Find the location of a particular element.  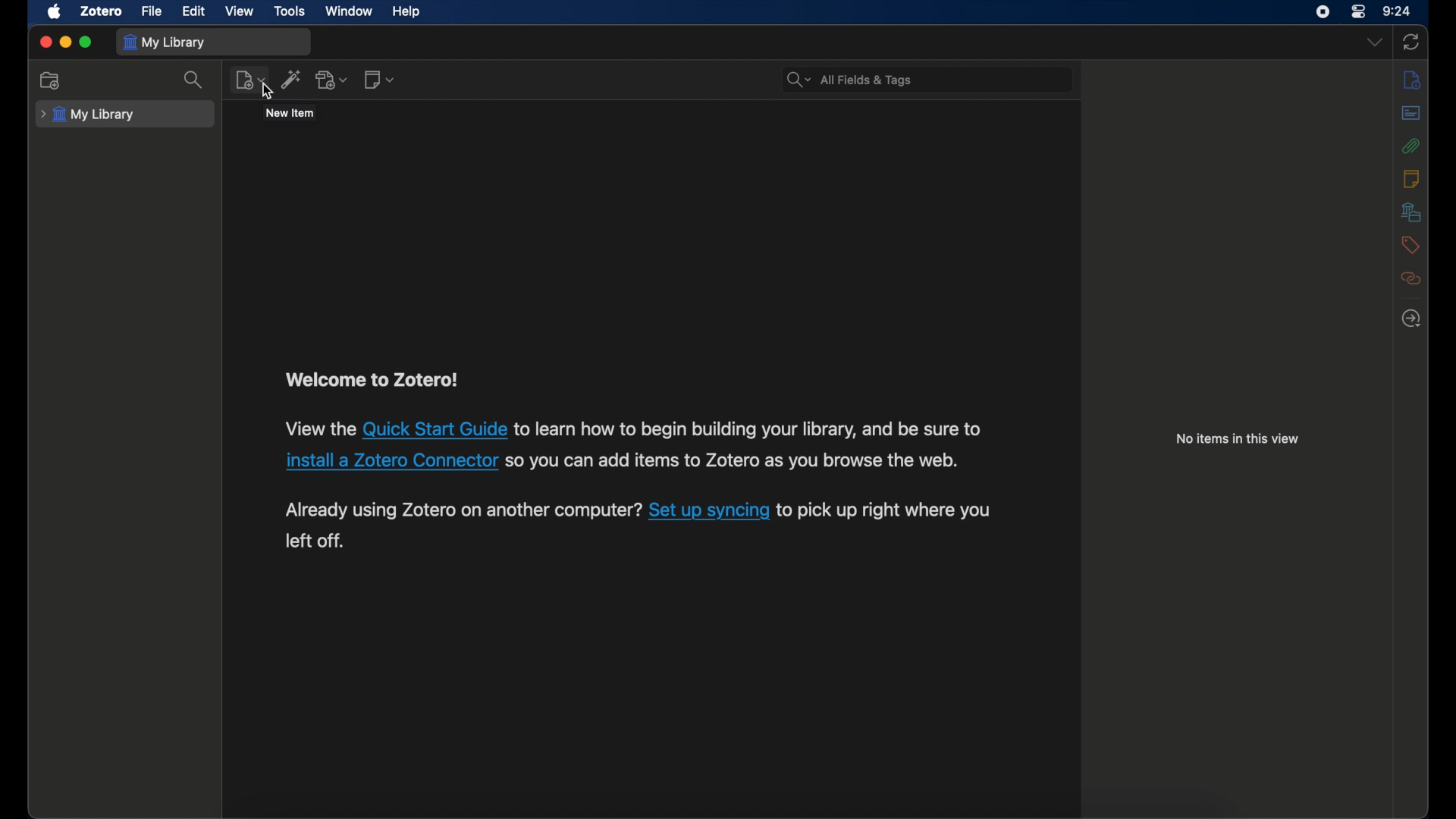

search is located at coordinates (195, 80).